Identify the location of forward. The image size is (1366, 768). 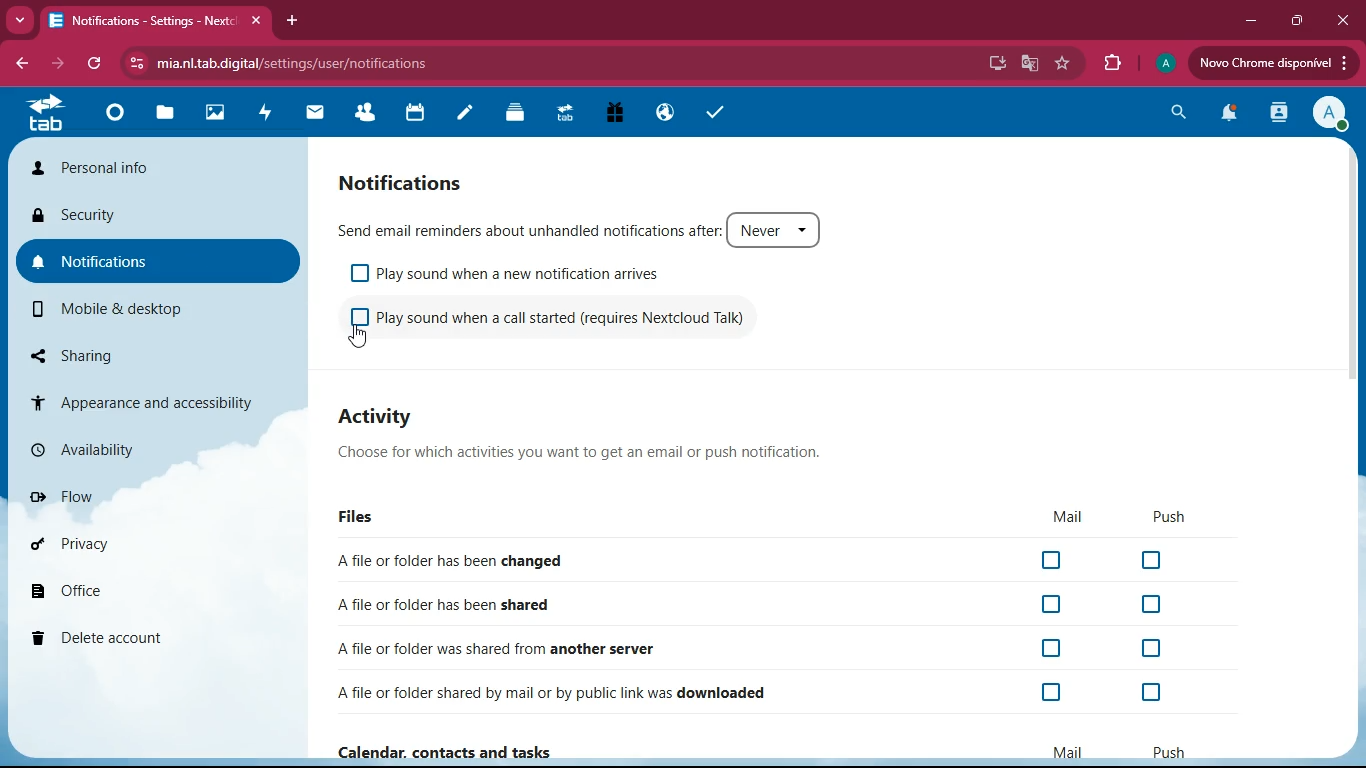
(60, 65).